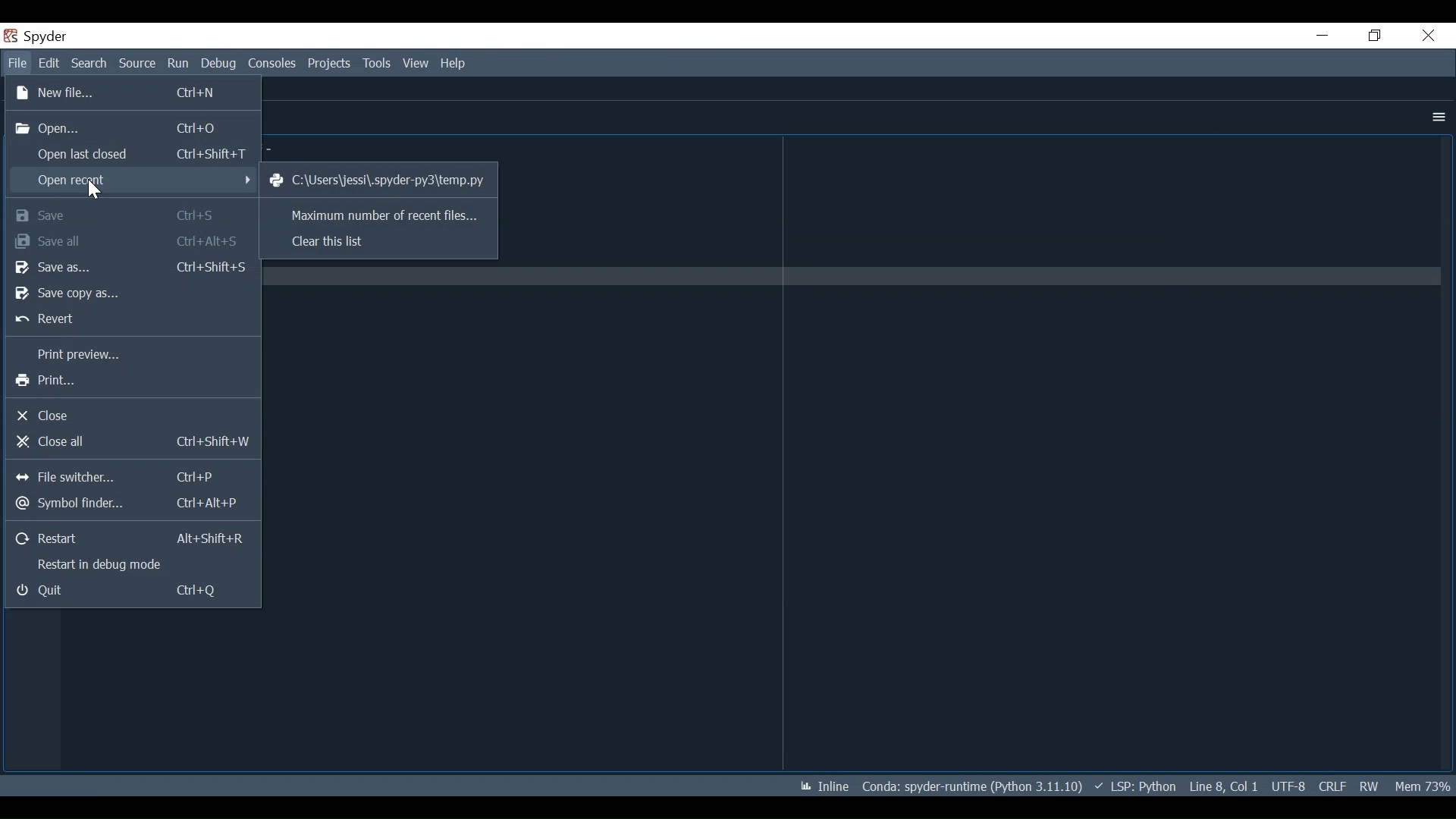 Image resolution: width=1456 pixels, height=819 pixels. I want to click on Close all, so click(130, 442).